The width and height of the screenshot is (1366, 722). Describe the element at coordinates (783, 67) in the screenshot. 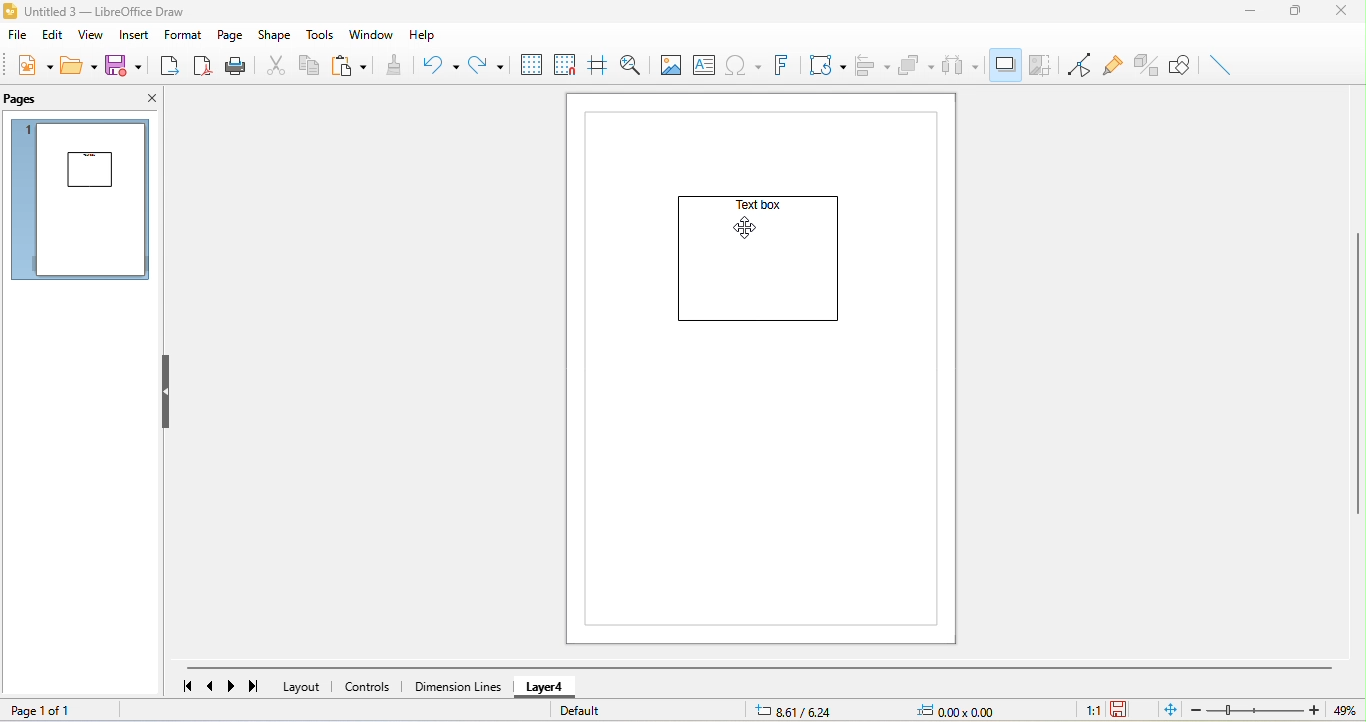

I see `font work text` at that location.